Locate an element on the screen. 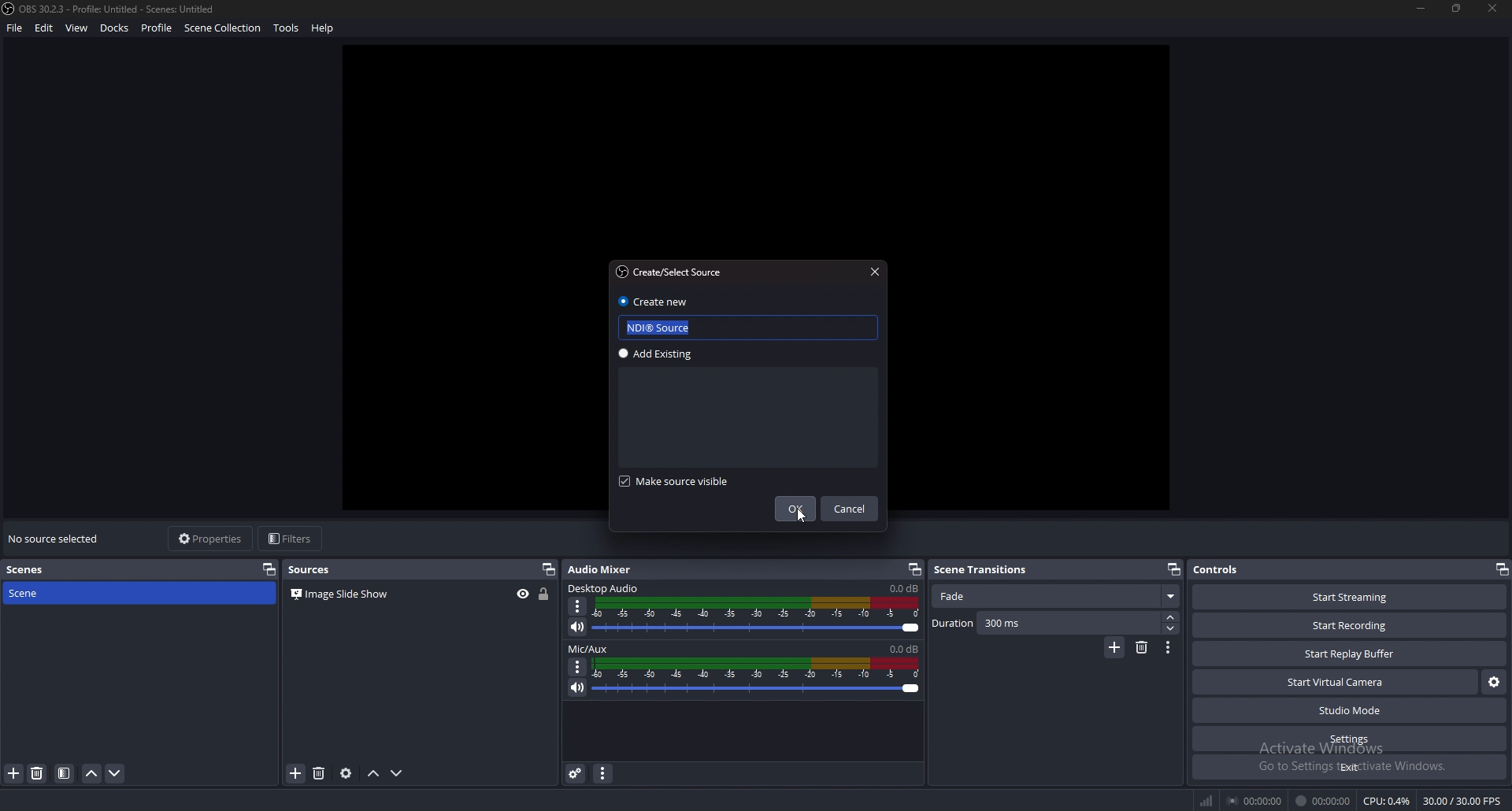 The width and height of the screenshot is (1512, 811). mic/aux is located at coordinates (589, 649).